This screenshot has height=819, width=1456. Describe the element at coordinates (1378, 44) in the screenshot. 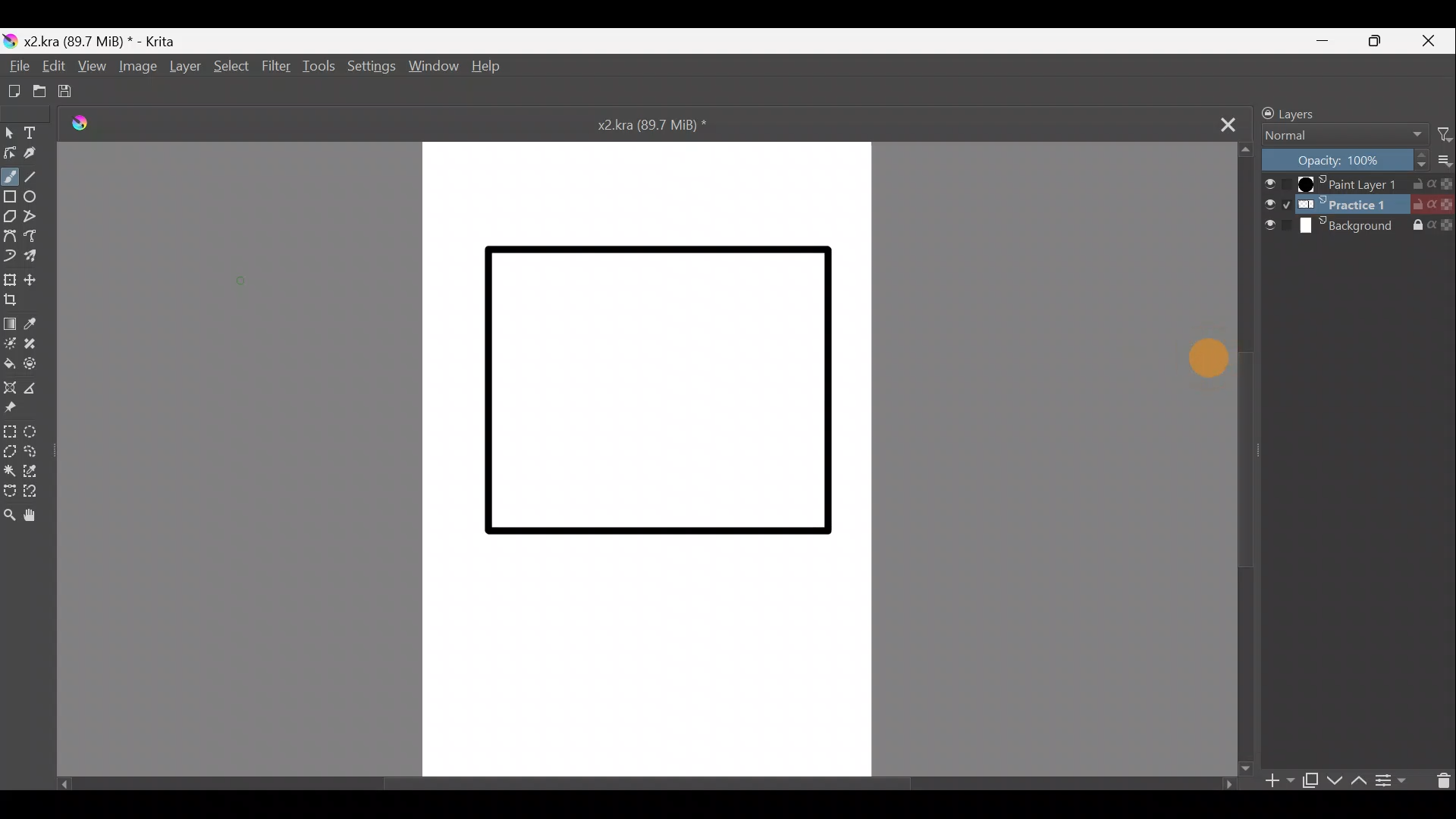

I see `Maximise` at that location.